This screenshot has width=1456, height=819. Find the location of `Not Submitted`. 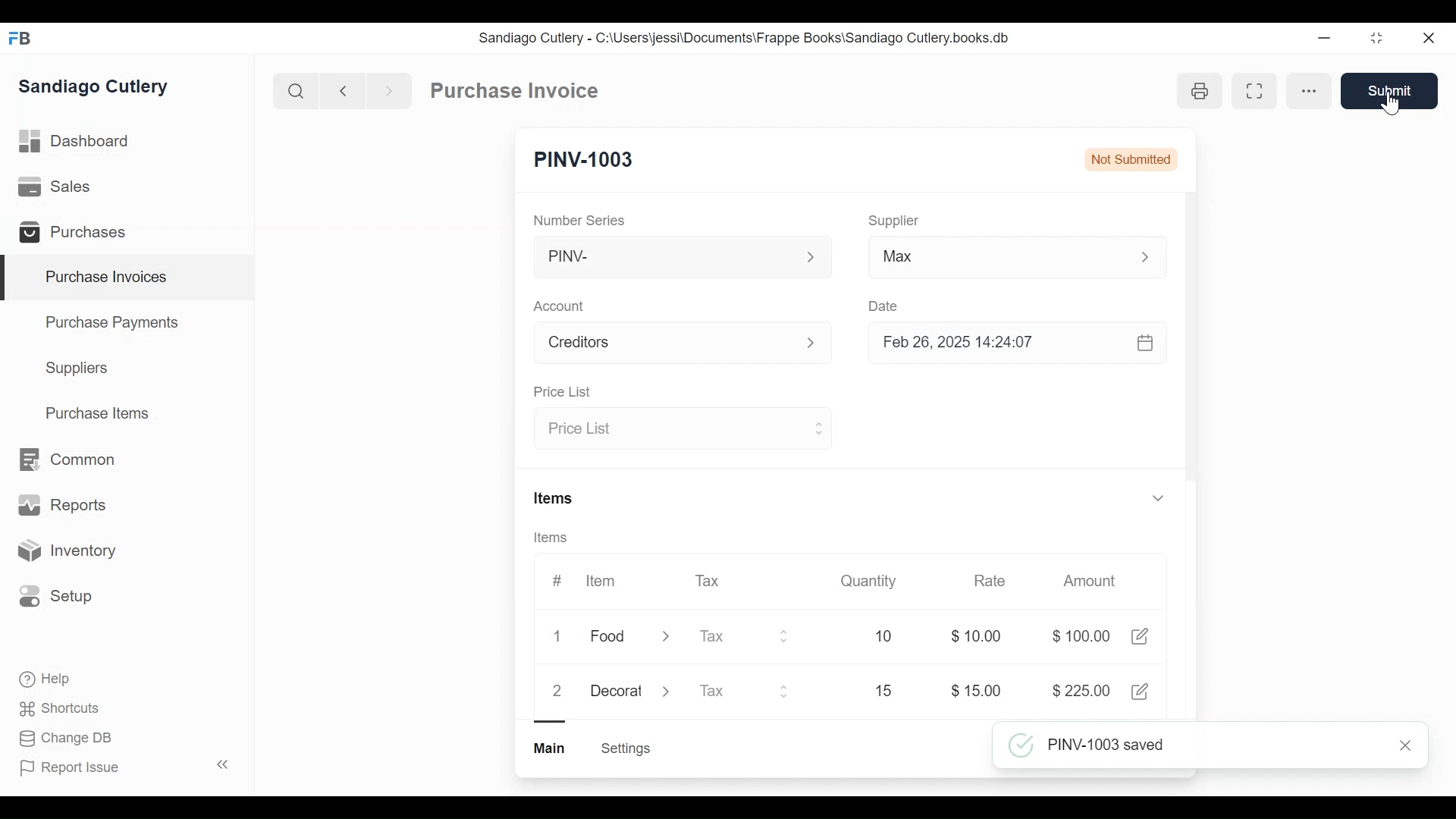

Not Submitted is located at coordinates (1133, 160).